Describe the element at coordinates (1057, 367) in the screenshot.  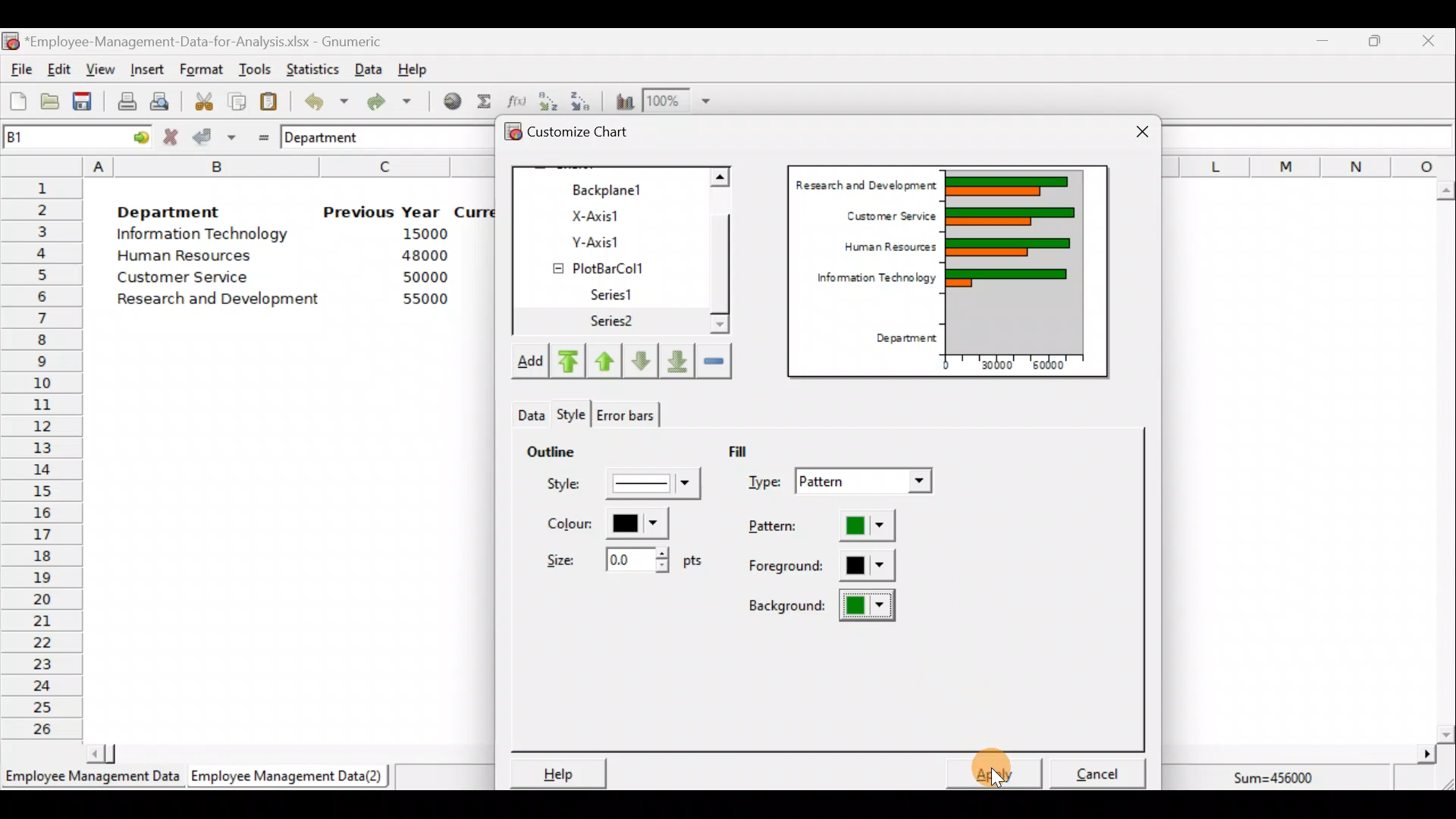
I see `60000"` at that location.